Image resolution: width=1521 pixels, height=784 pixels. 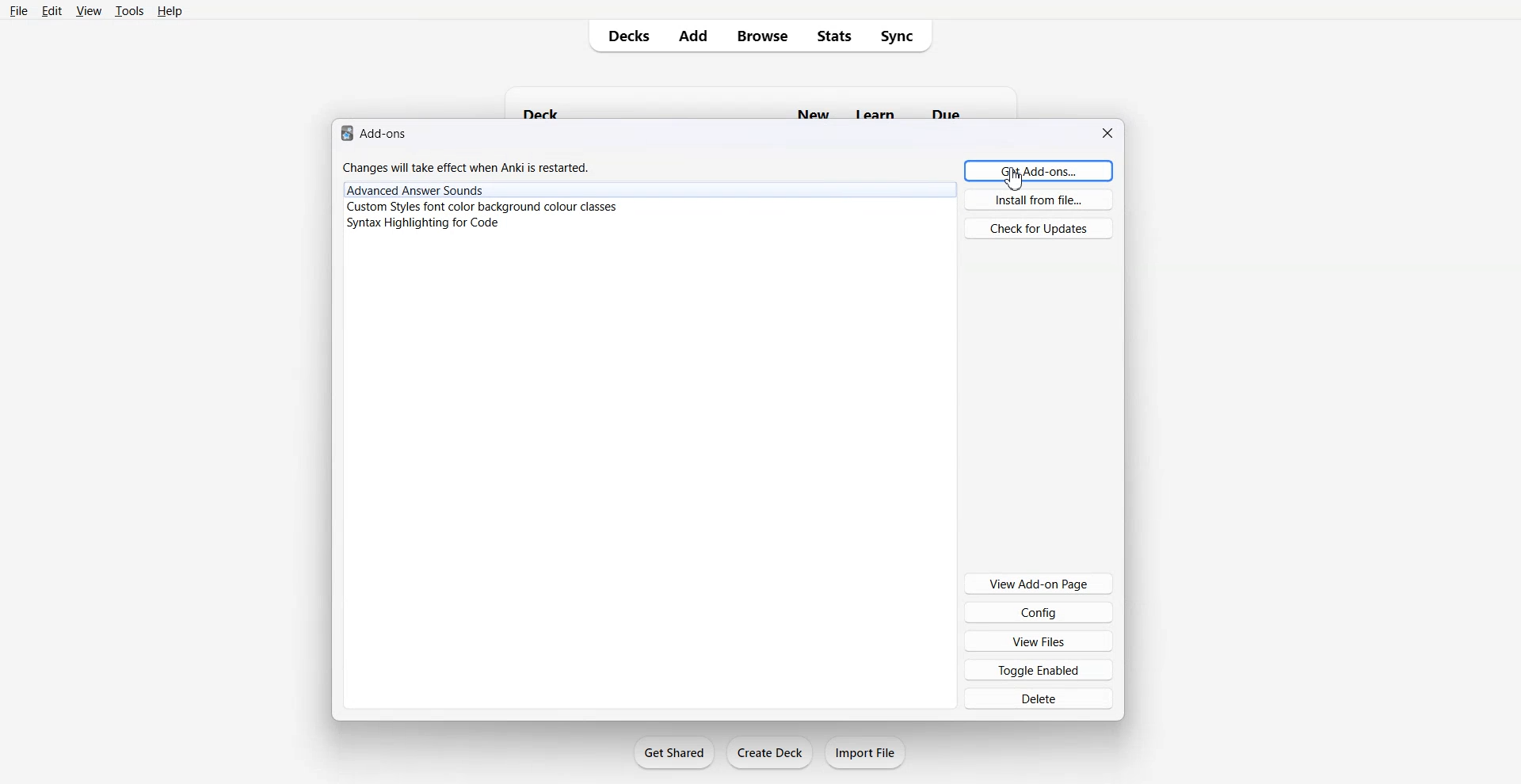 What do you see at coordinates (693, 36) in the screenshot?
I see `Add` at bounding box center [693, 36].